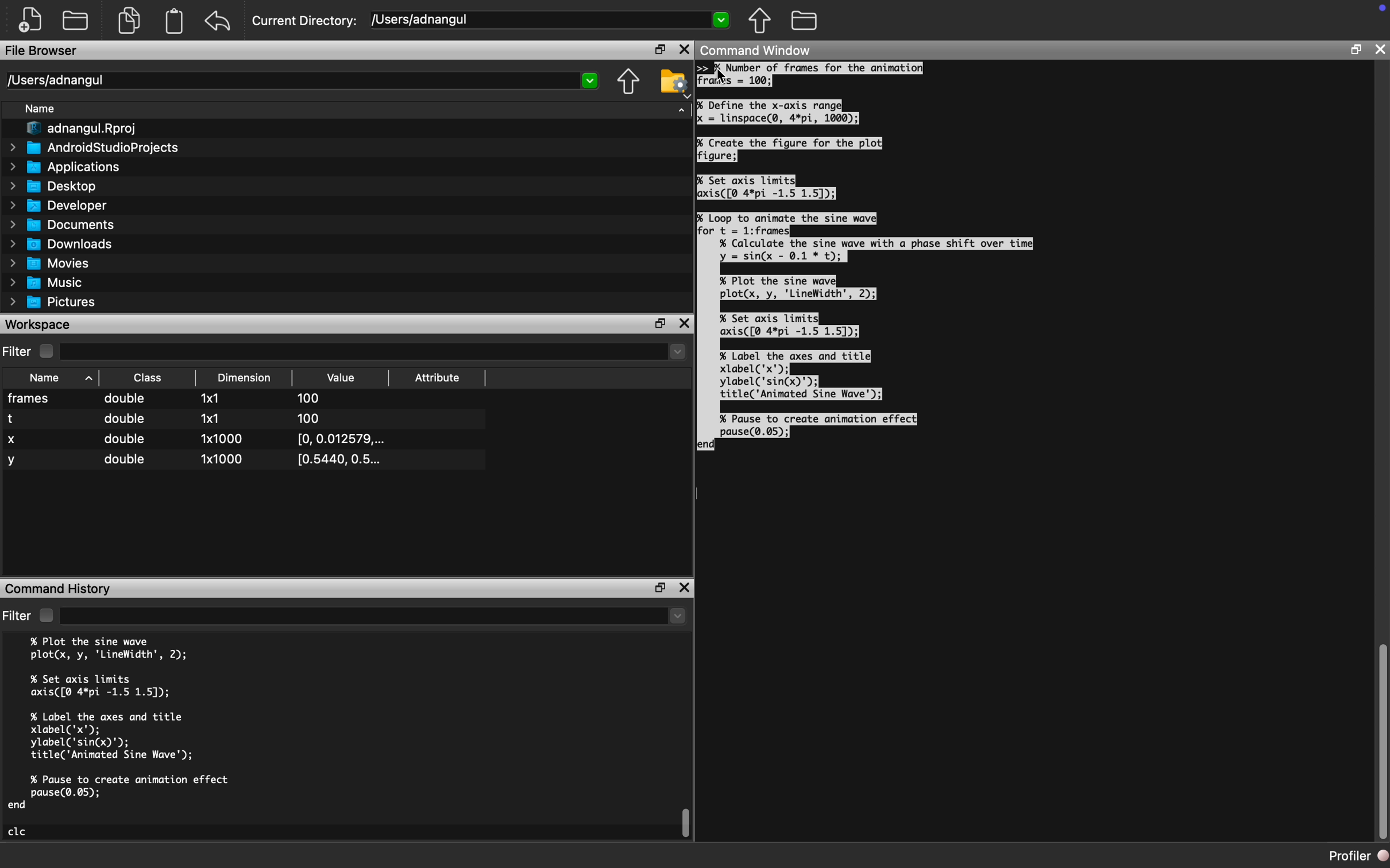 The height and width of the screenshot is (868, 1390). Describe the element at coordinates (1360, 856) in the screenshot. I see `Profiler` at that location.